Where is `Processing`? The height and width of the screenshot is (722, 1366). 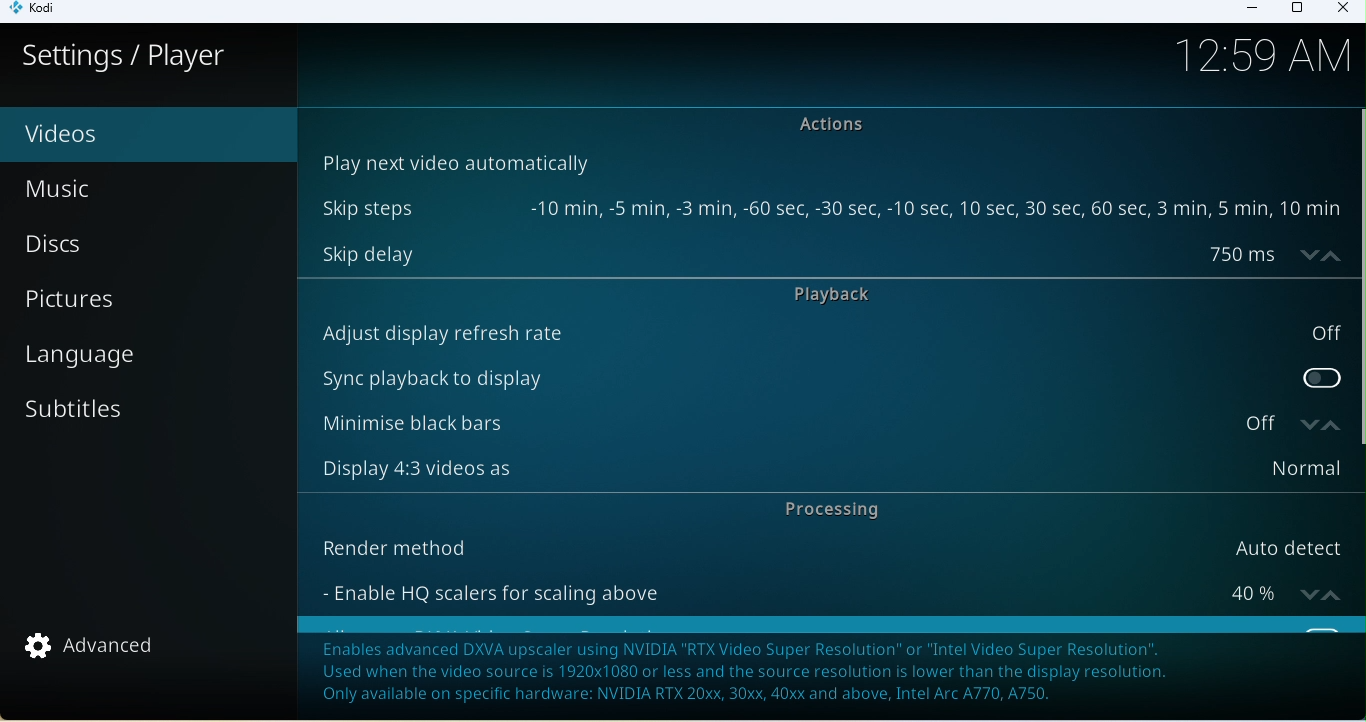
Processing is located at coordinates (826, 510).